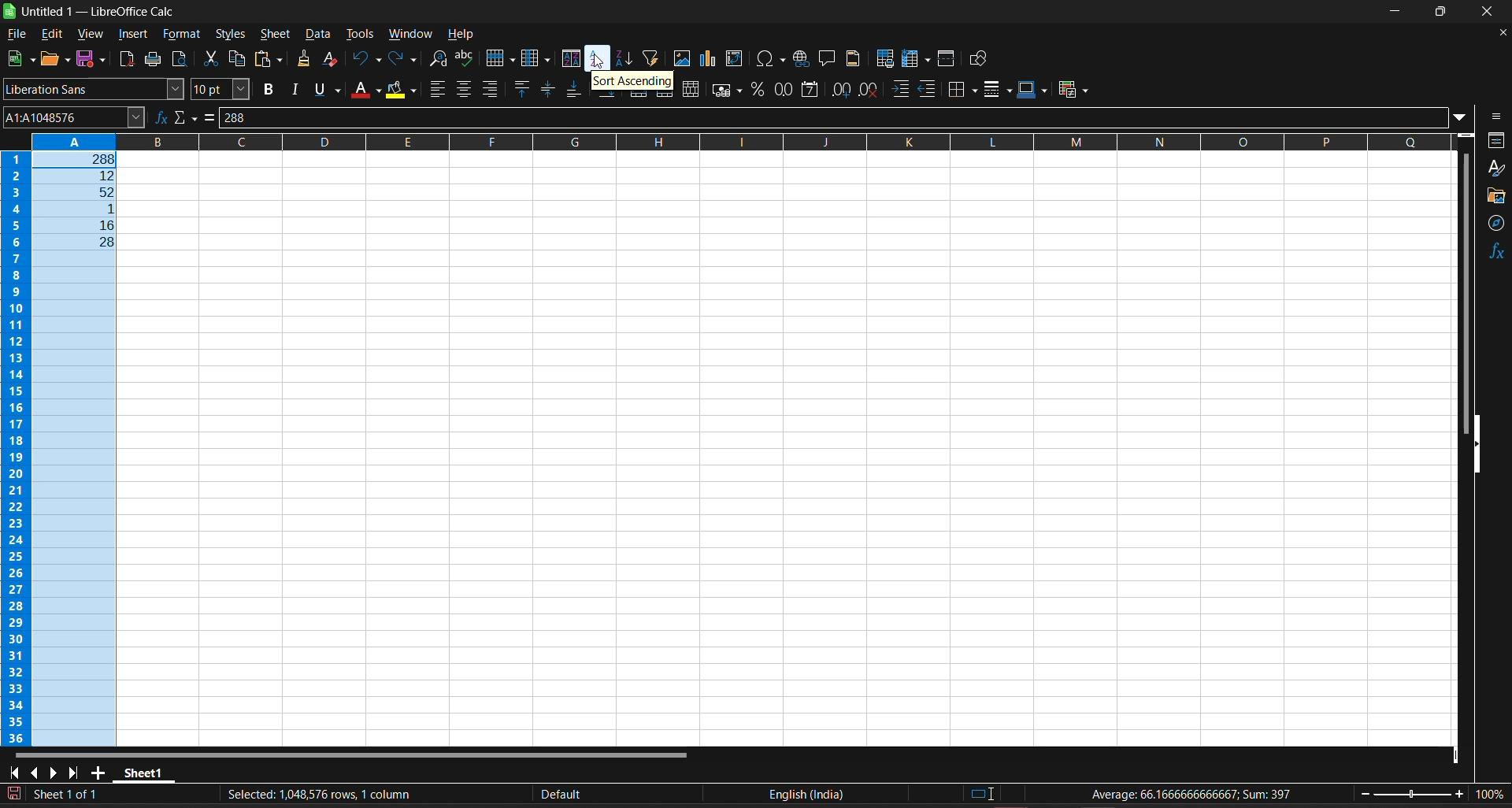 The image size is (1512, 808). What do you see at coordinates (90, 35) in the screenshot?
I see `view` at bounding box center [90, 35].